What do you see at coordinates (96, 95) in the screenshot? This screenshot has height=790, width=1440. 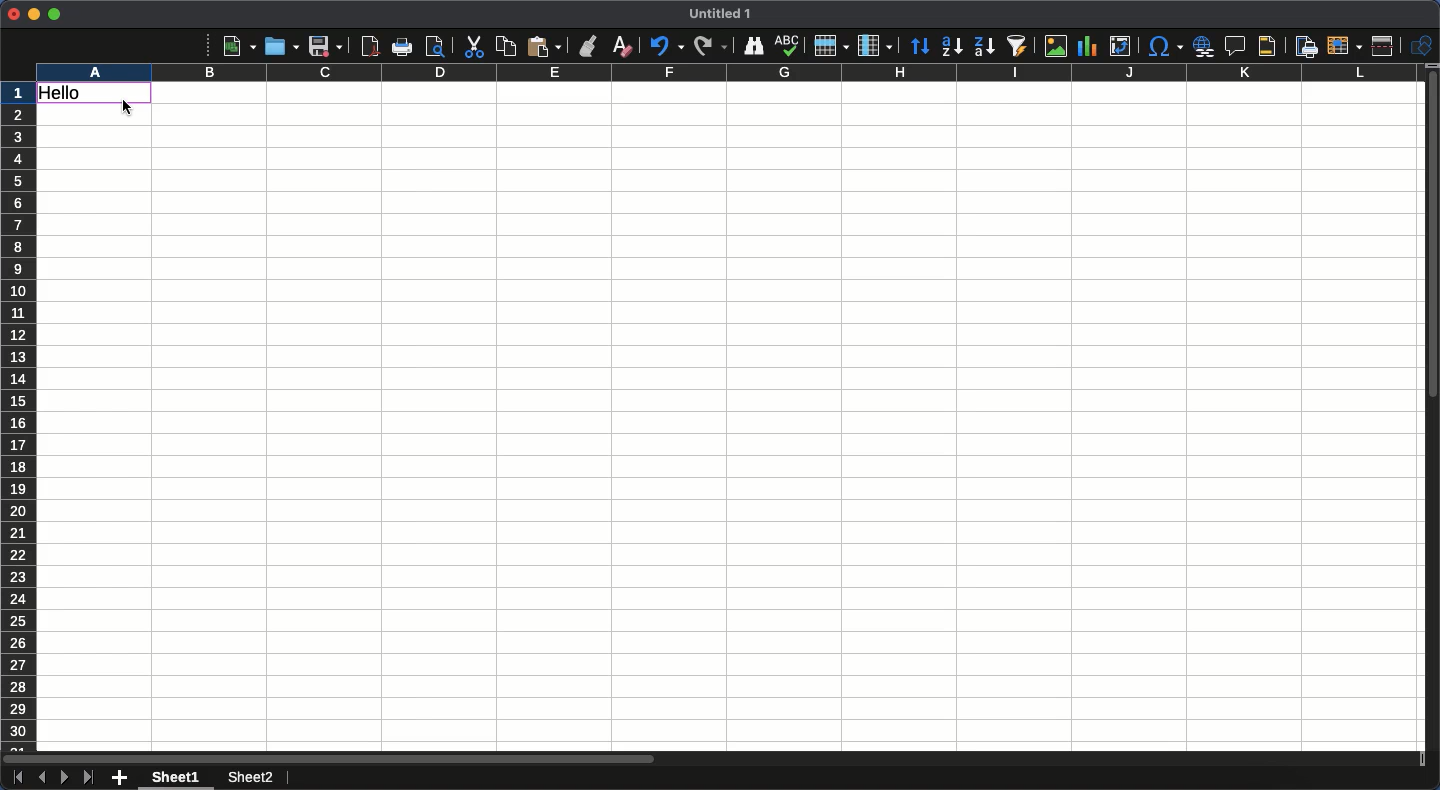 I see `hello` at bounding box center [96, 95].